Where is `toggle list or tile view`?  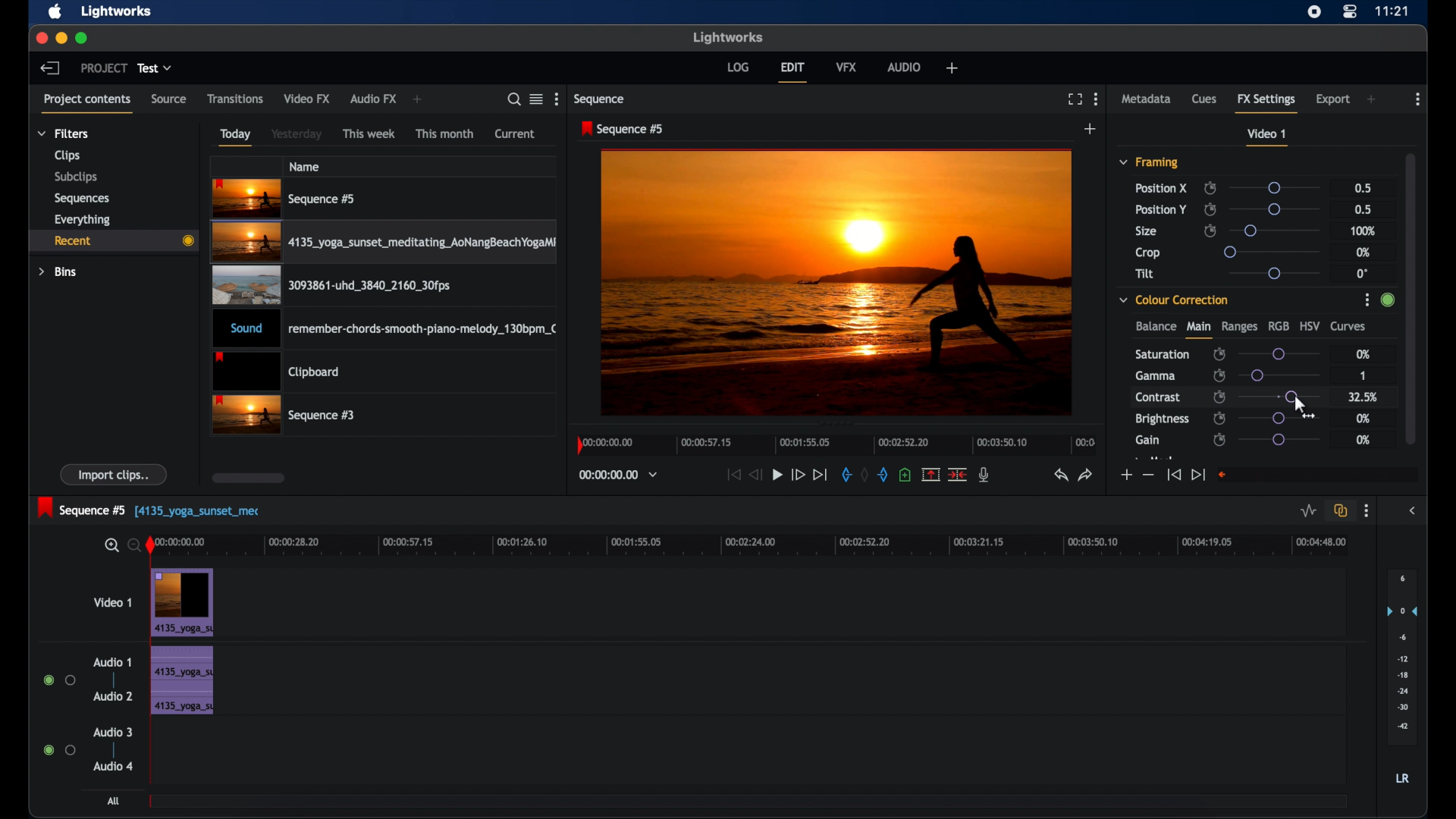 toggle list or tile view is located at coordinates (536, 99).